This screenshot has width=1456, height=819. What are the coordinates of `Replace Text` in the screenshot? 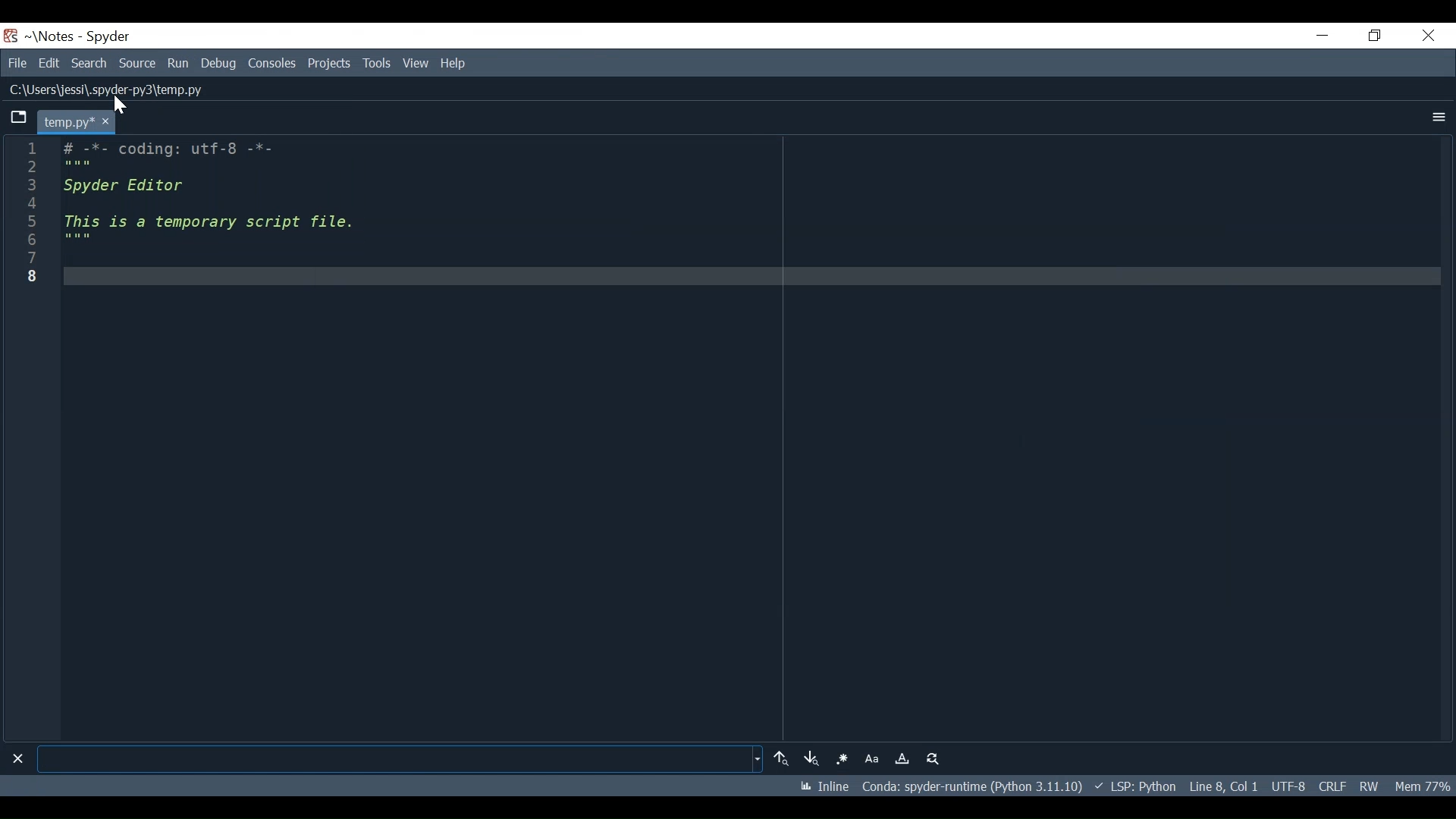 It's located at (932, 758).